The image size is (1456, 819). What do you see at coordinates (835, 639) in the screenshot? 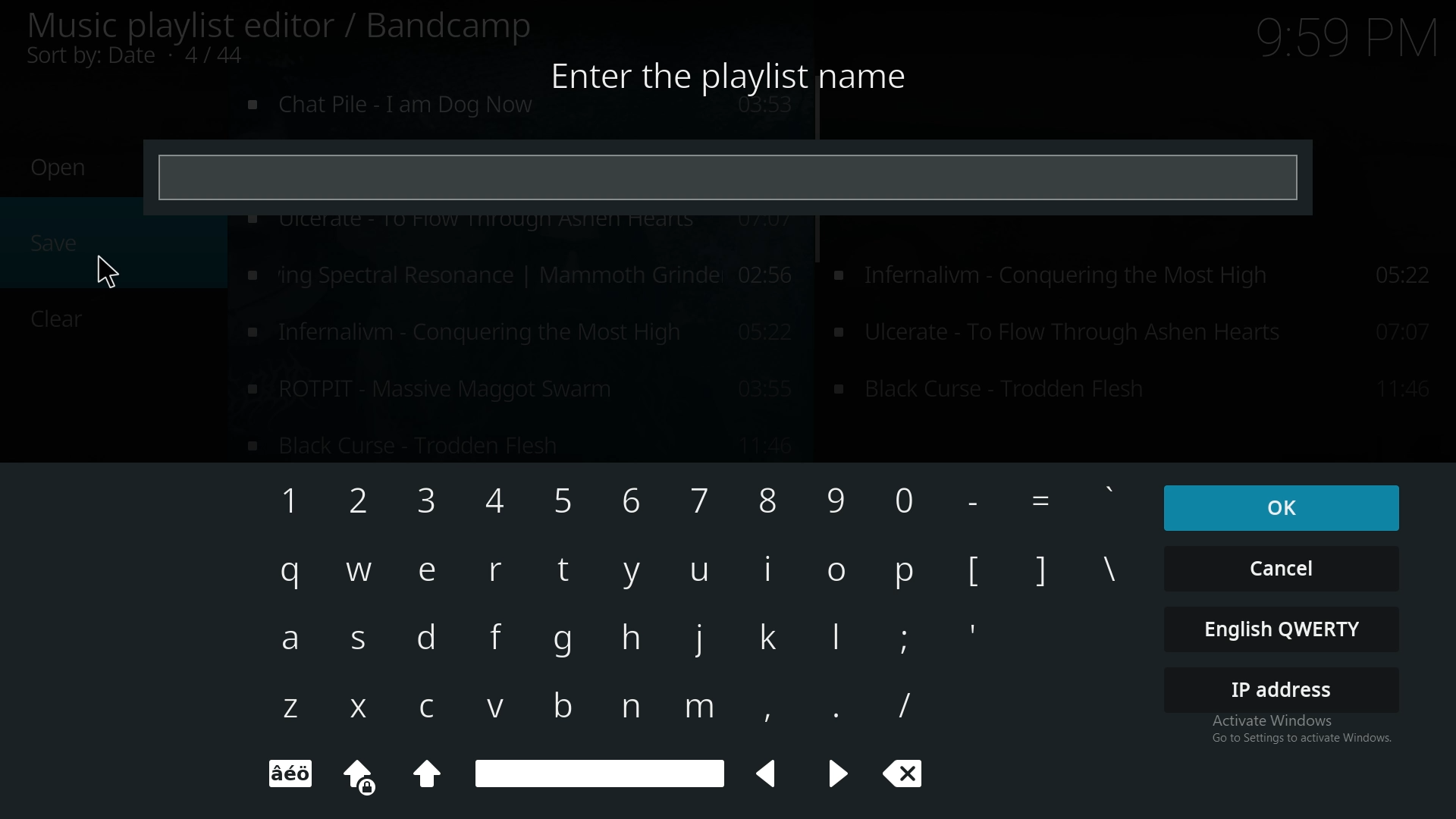
I see `keyboard input` at bounding box center [835, 639].